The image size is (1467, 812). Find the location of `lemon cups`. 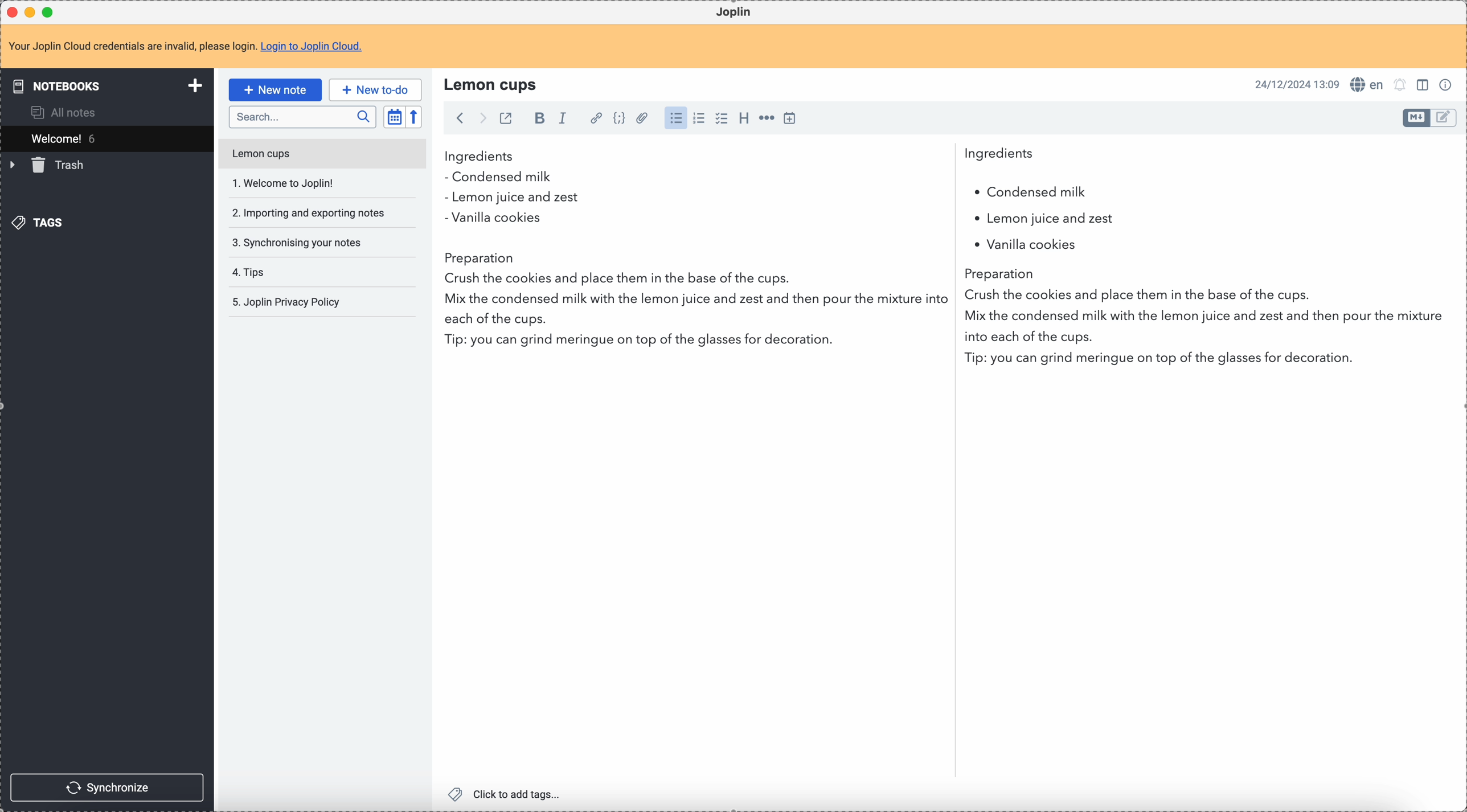

lemon cups is located at coordinates (321, 156).